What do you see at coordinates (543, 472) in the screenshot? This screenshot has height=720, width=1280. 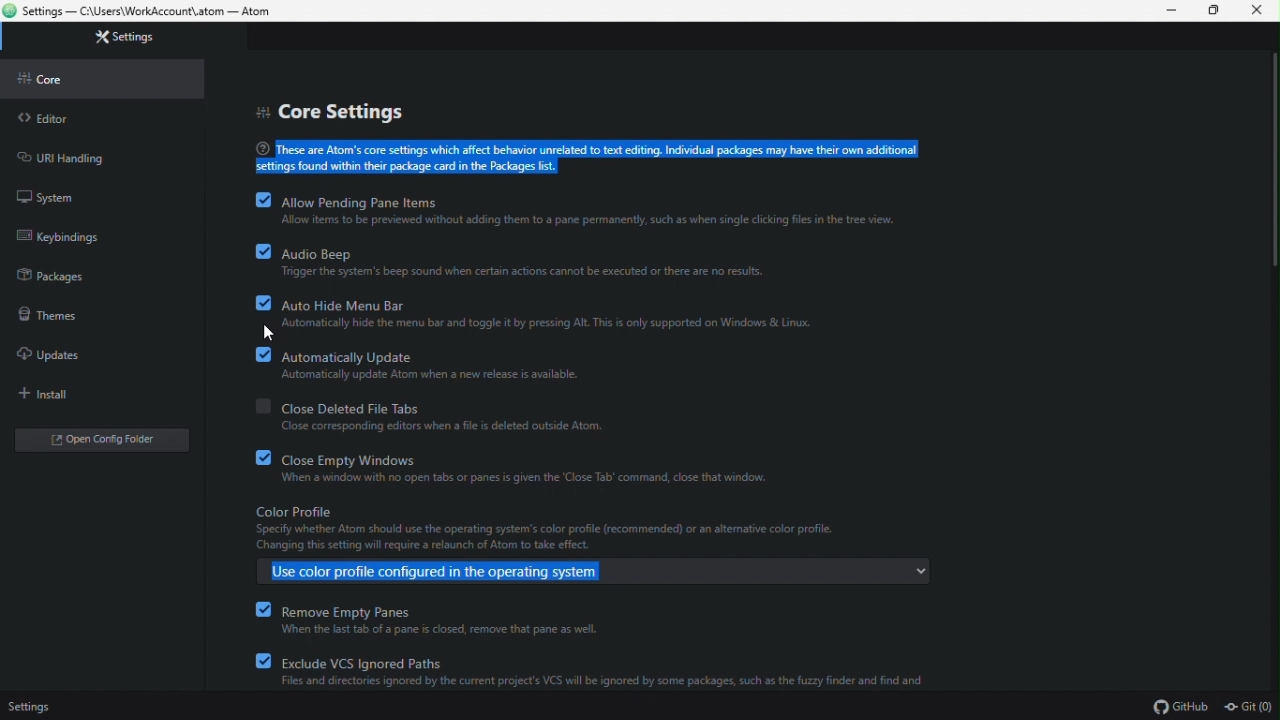 I see `4 Close Empty Windows
When a window with no open tabs o panes i given the ‘Close Tab’ command, close that window.` at bounding box center [543, 472].